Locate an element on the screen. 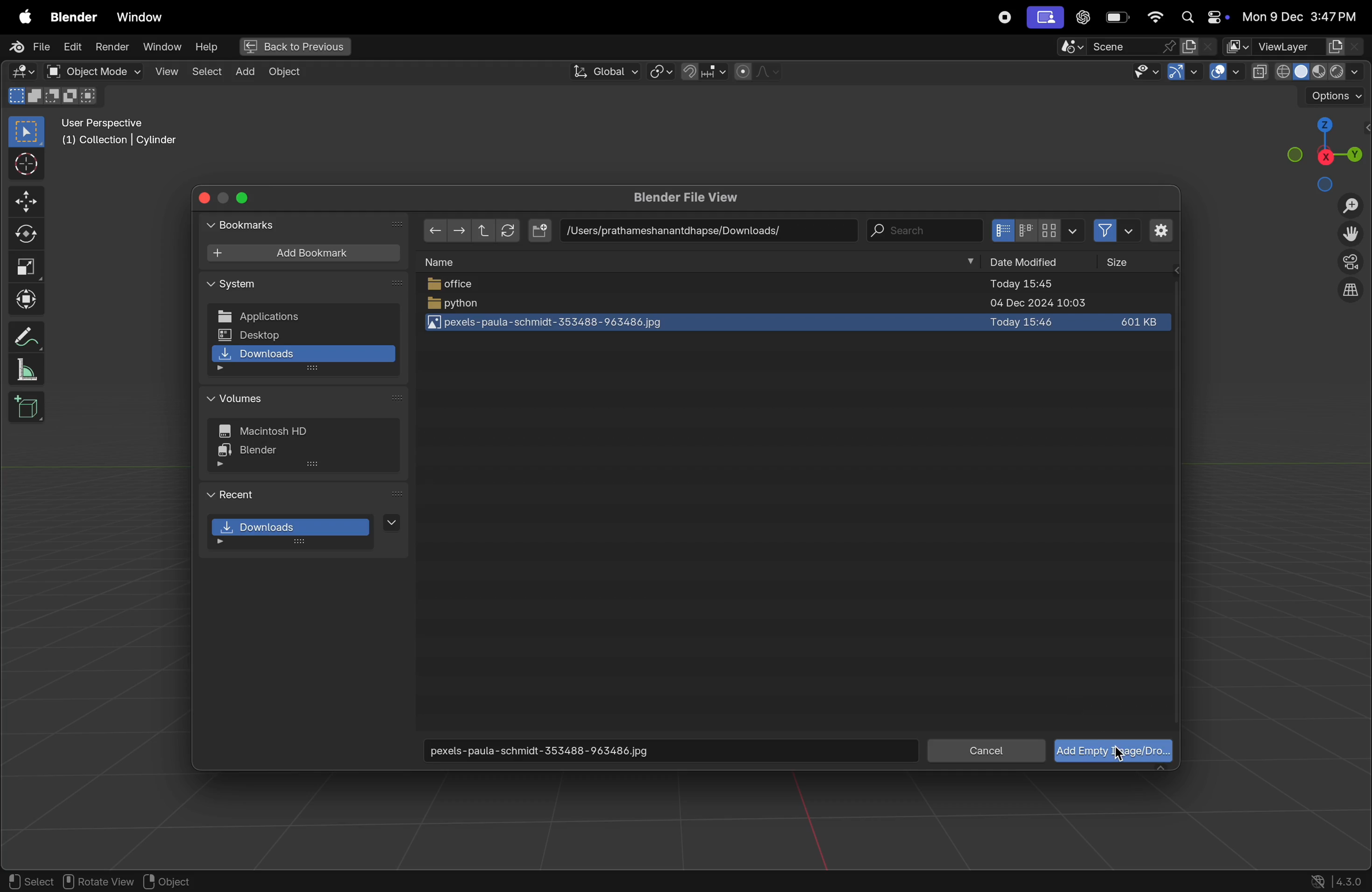  edit is located at coordinates (73, 48).